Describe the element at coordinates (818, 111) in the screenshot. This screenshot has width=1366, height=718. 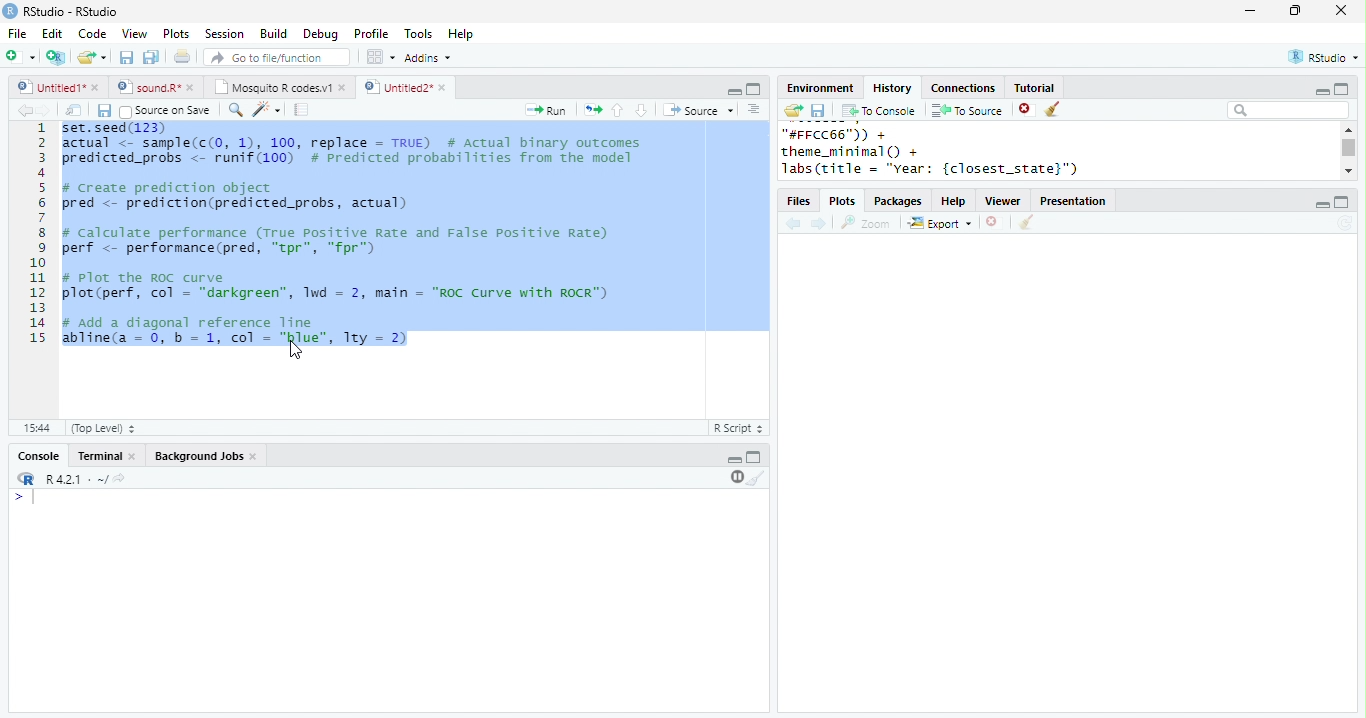
I see `save` at that location.